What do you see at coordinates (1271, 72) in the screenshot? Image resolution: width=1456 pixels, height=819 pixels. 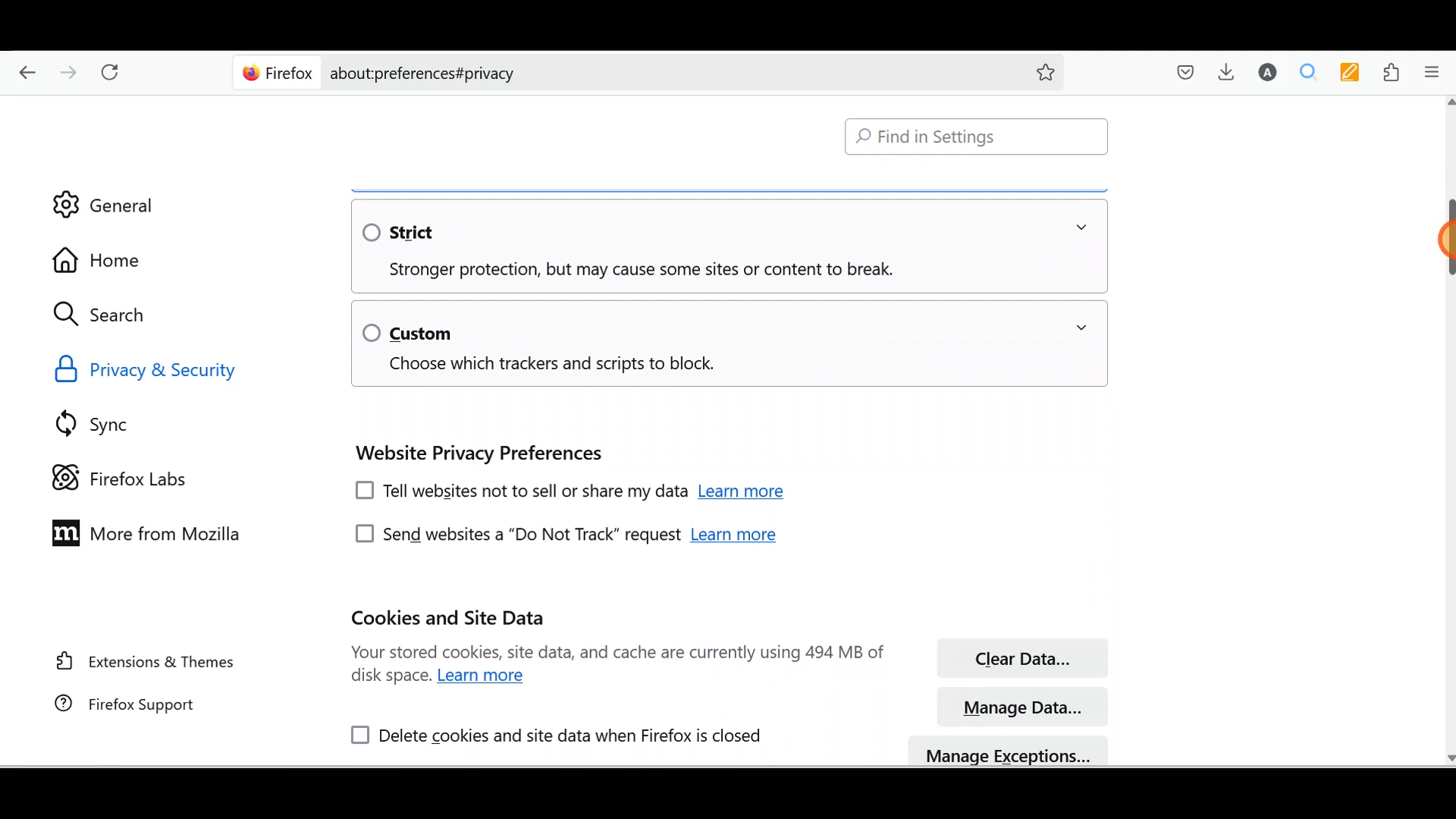 I see `Account` at bounding box center [1271, 72].